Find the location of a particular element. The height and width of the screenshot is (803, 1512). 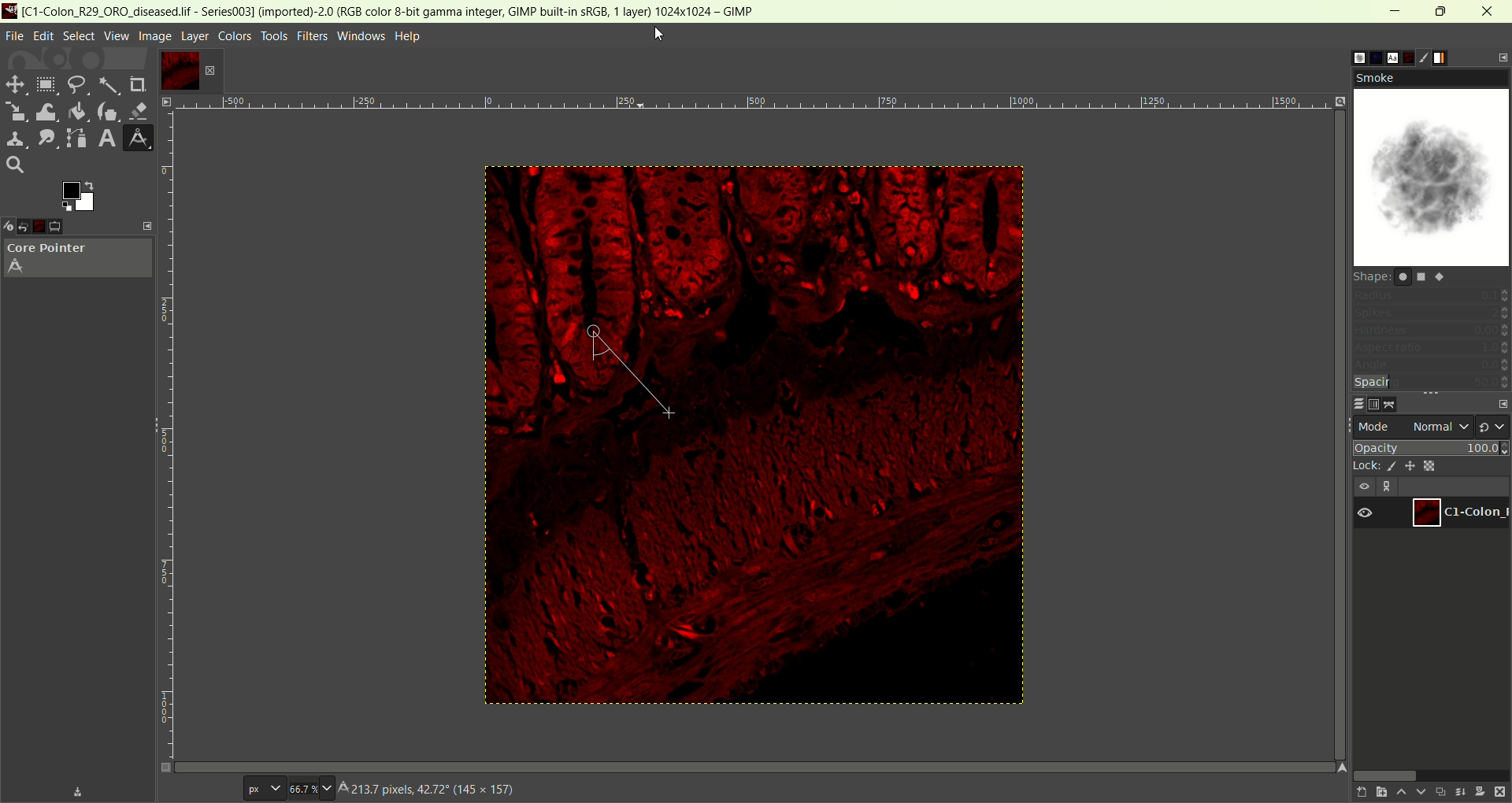

angle is located at coordinates (1431, 366).